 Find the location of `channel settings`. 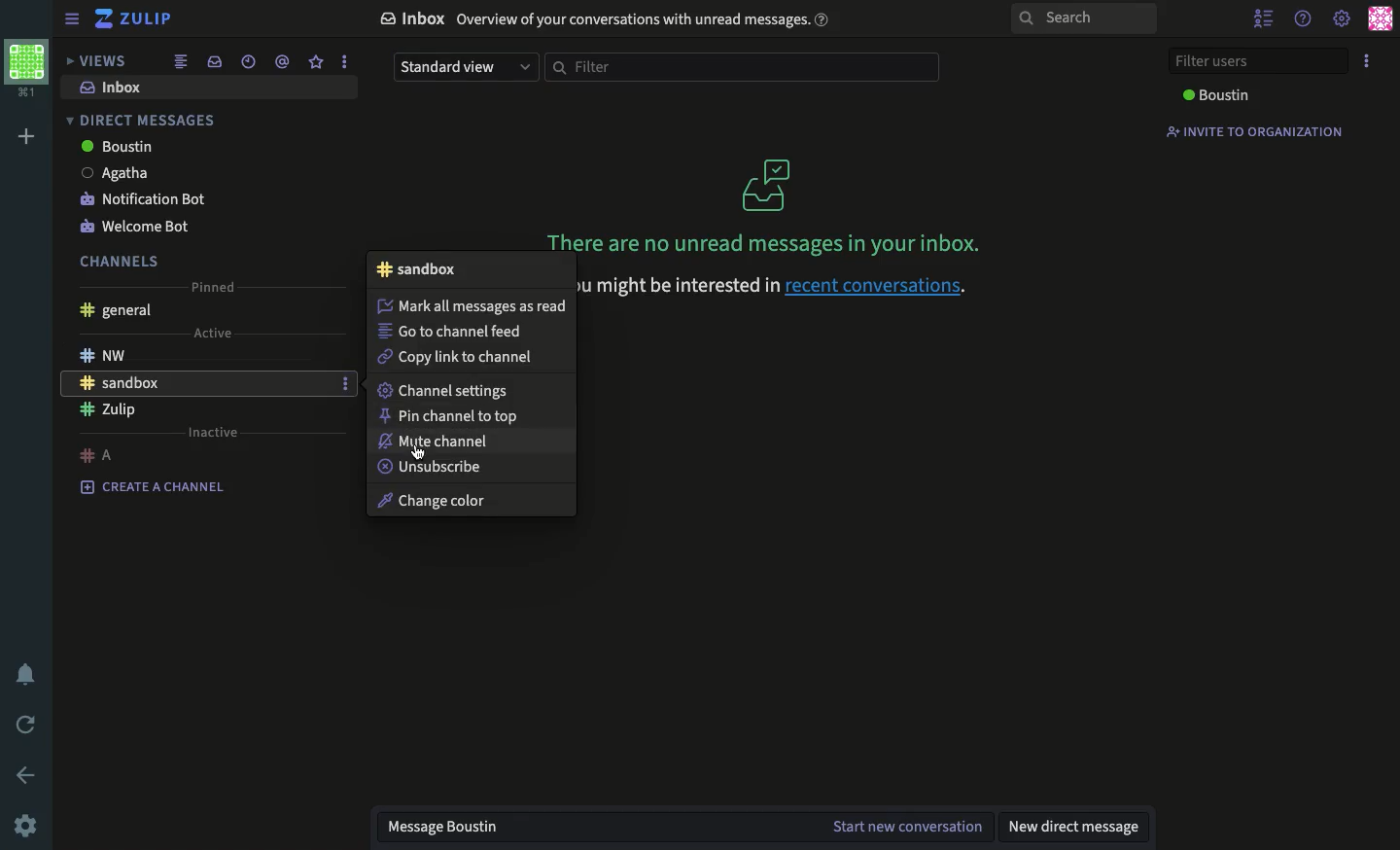

channel settings is located at coordinates (444, 391).